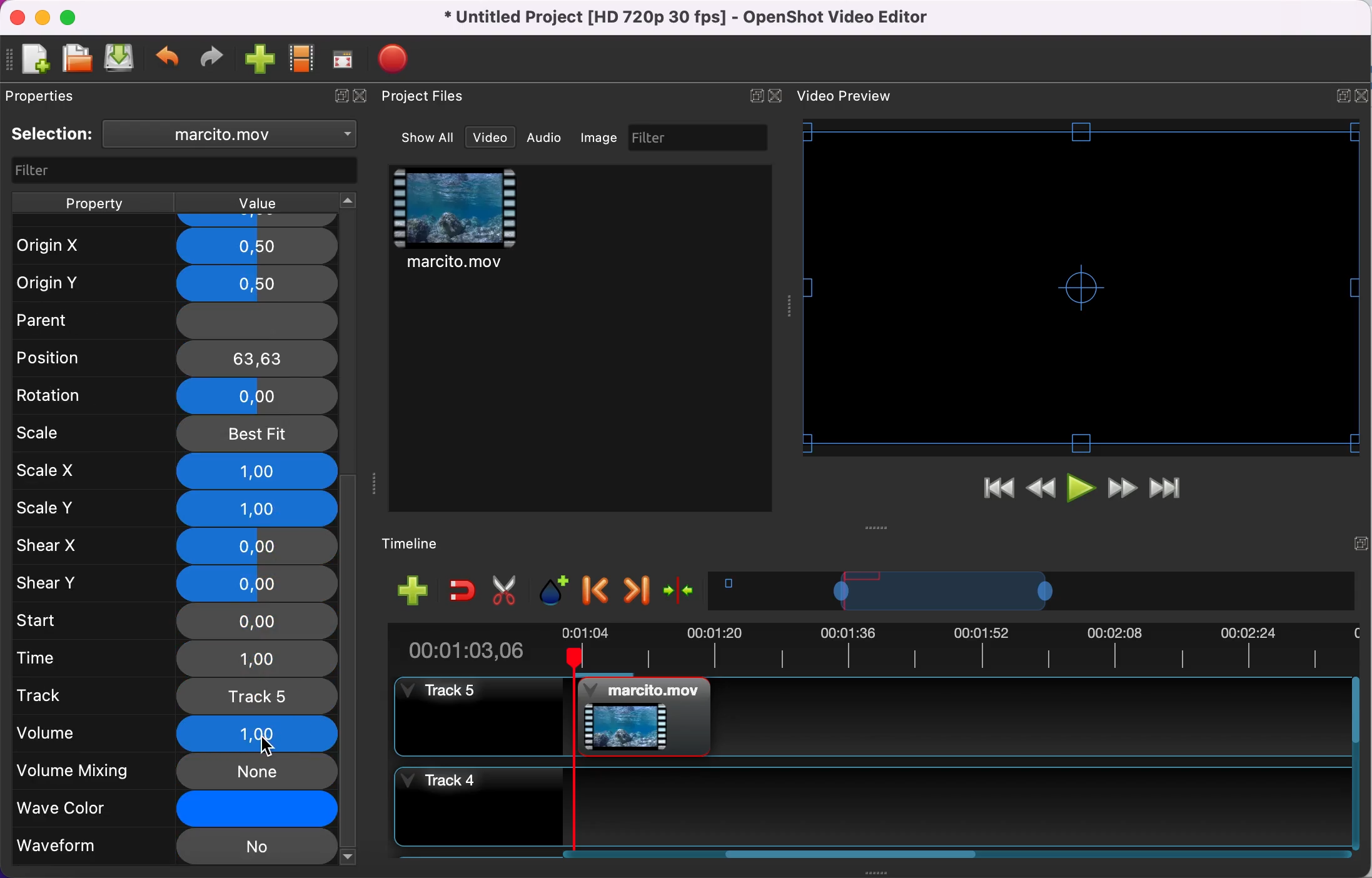 This screenshot has width=1372, height=878. I want to click on Origin Y, so click(171, 284).